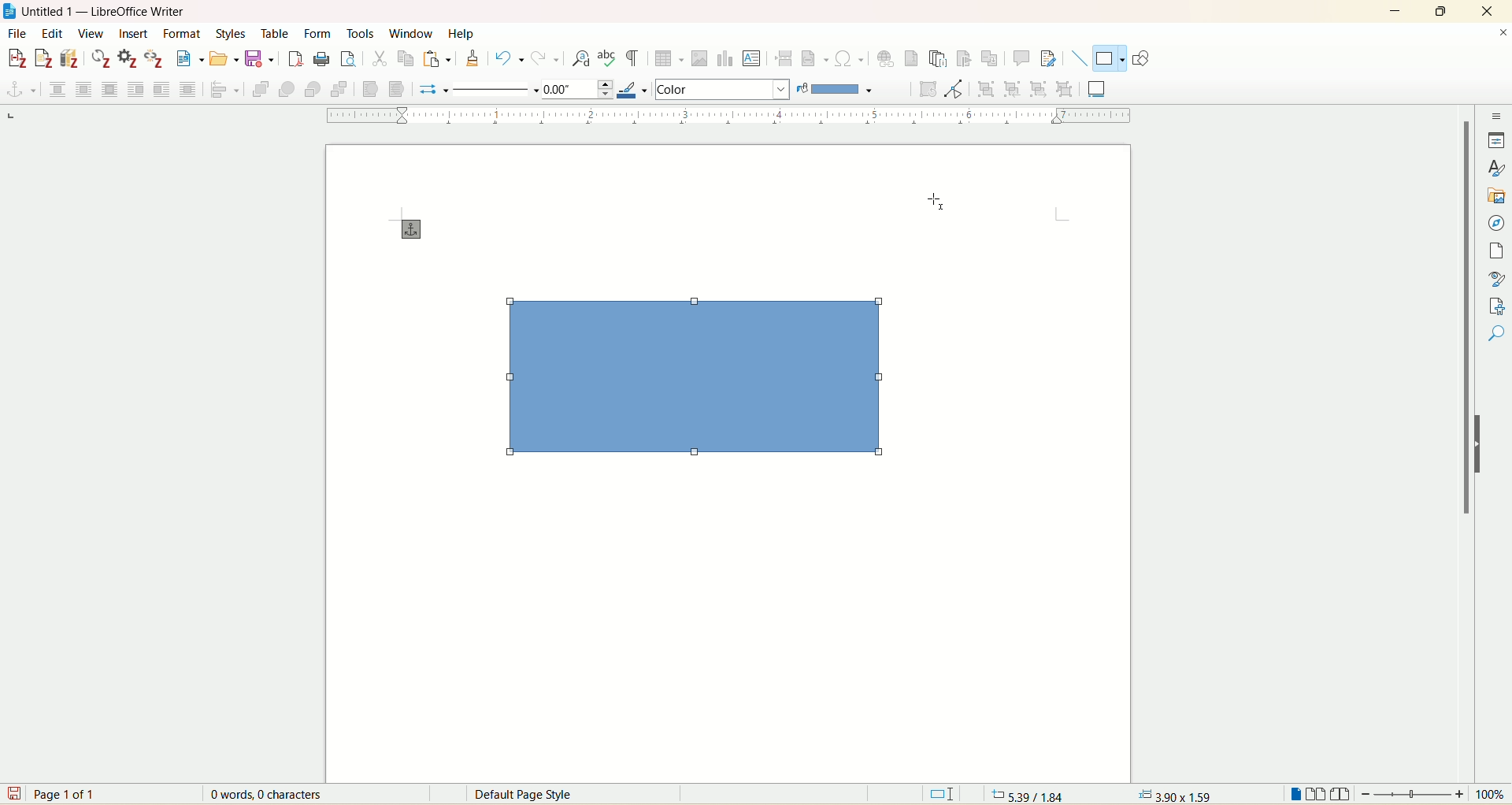 This screenshot has width=1512, height=805. What do you see at coordinates (497, 89) in the screenshot?
I see `line style` at bounding box center [497, 89].